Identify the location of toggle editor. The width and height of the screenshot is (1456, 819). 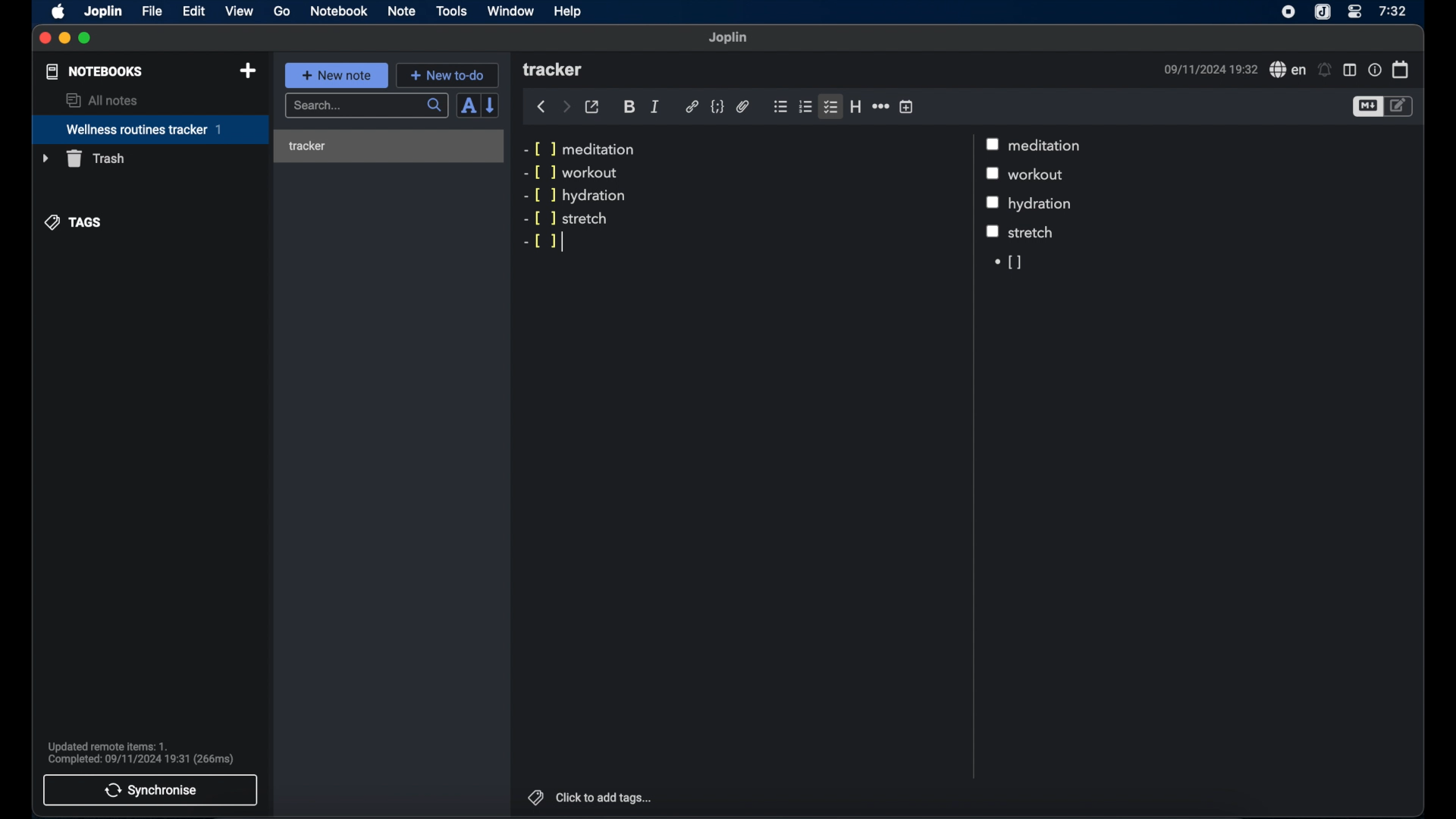
(1401, 107).